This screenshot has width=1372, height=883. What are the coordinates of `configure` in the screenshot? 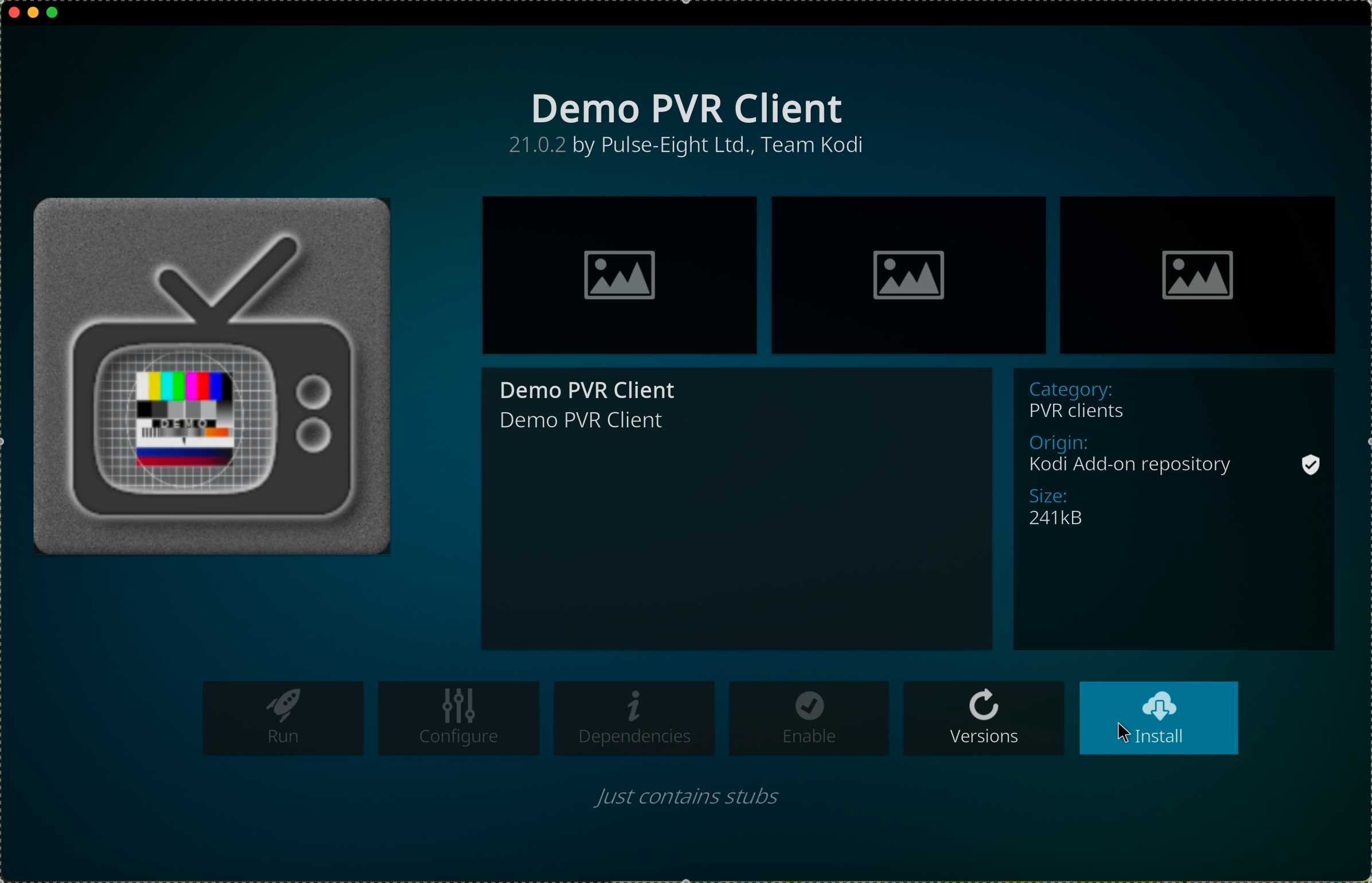 It's located at (459, 718).